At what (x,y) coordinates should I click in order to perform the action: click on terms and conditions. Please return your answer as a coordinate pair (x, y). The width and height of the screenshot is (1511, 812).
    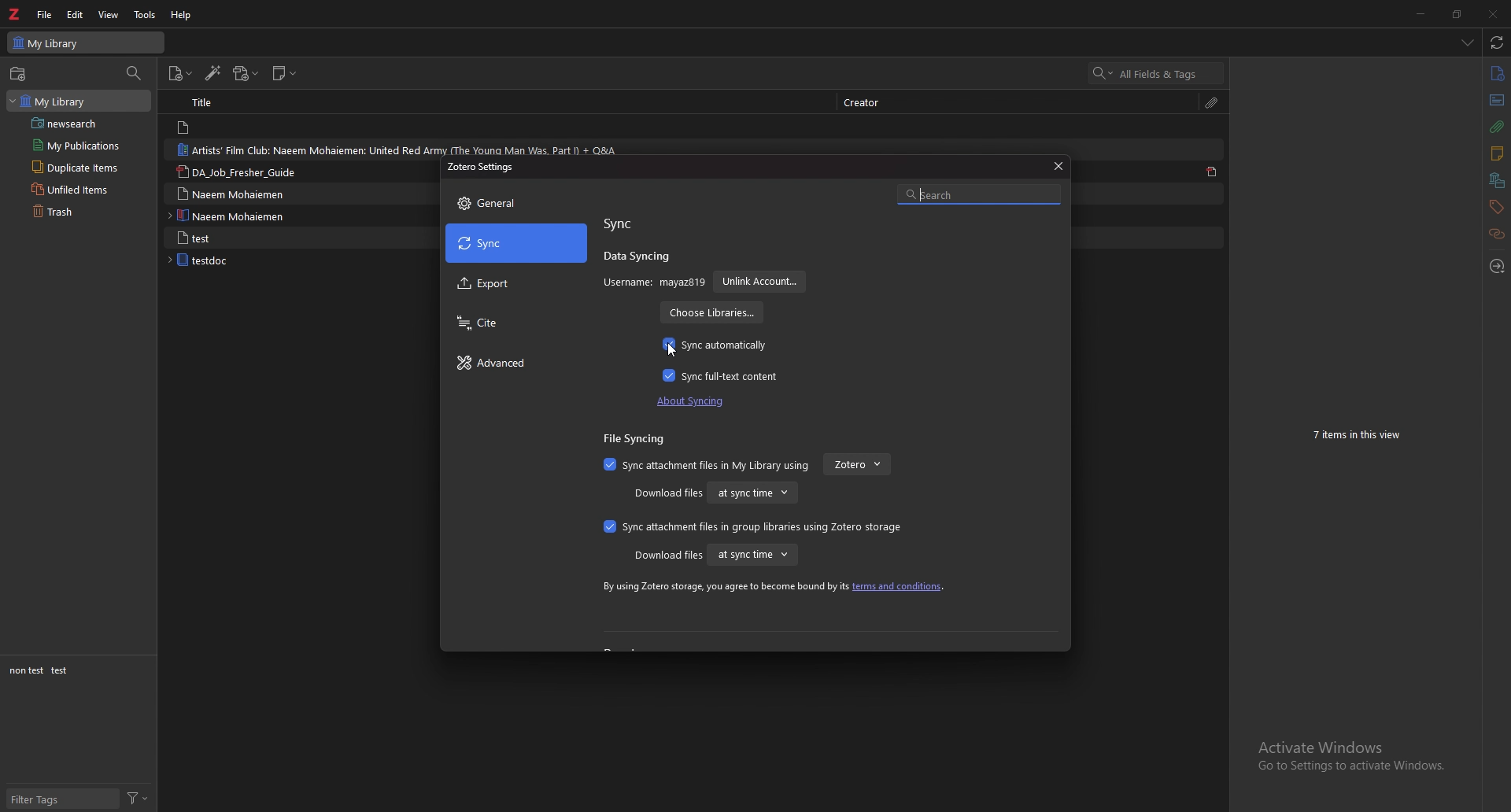
    Looking at the image, I should click on (899, 587).